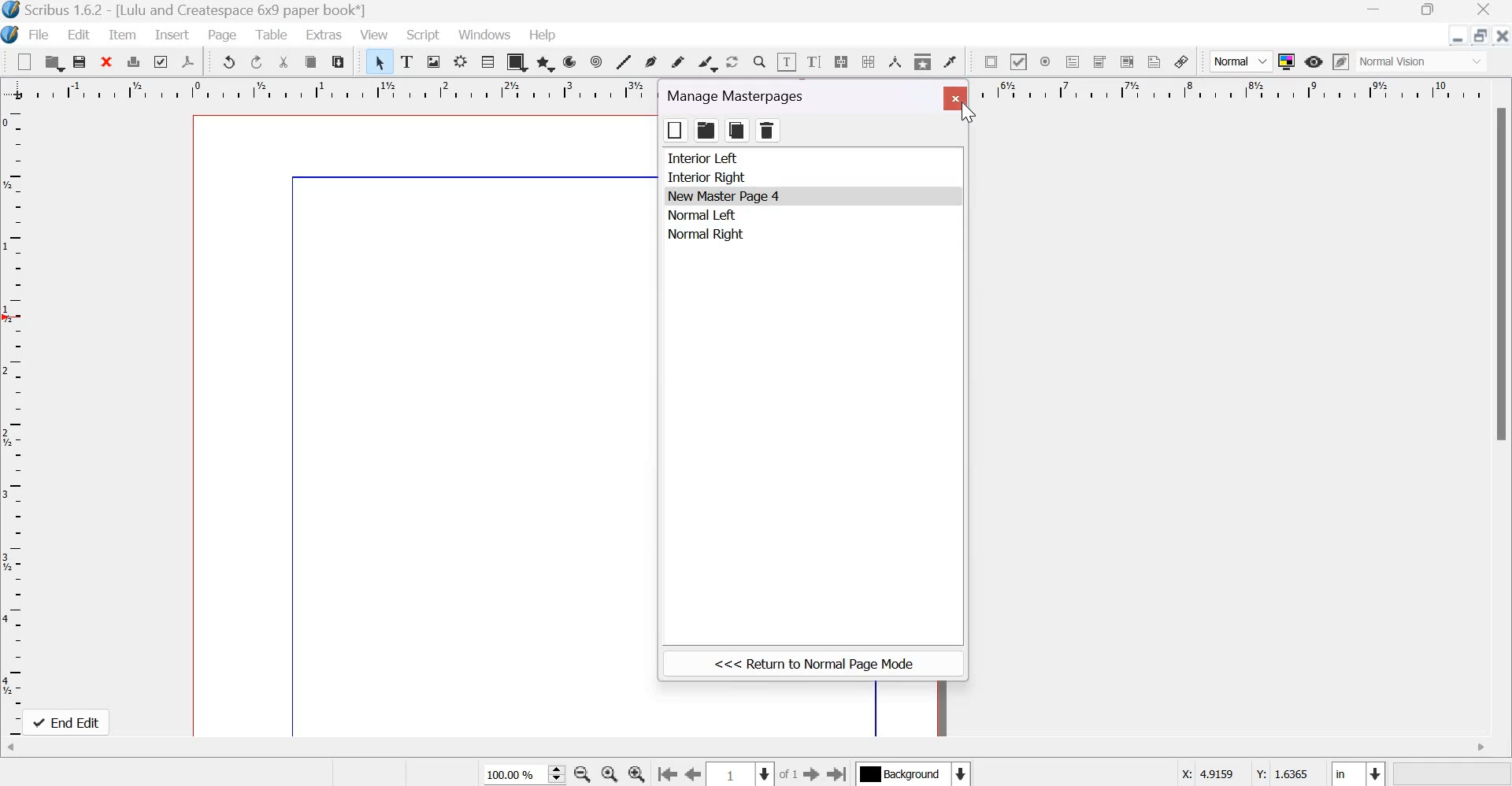  What do you see at coordinates (1099, 62) in the screenshot?
I see `PDF combo box` at bounding box center [1099, 62].